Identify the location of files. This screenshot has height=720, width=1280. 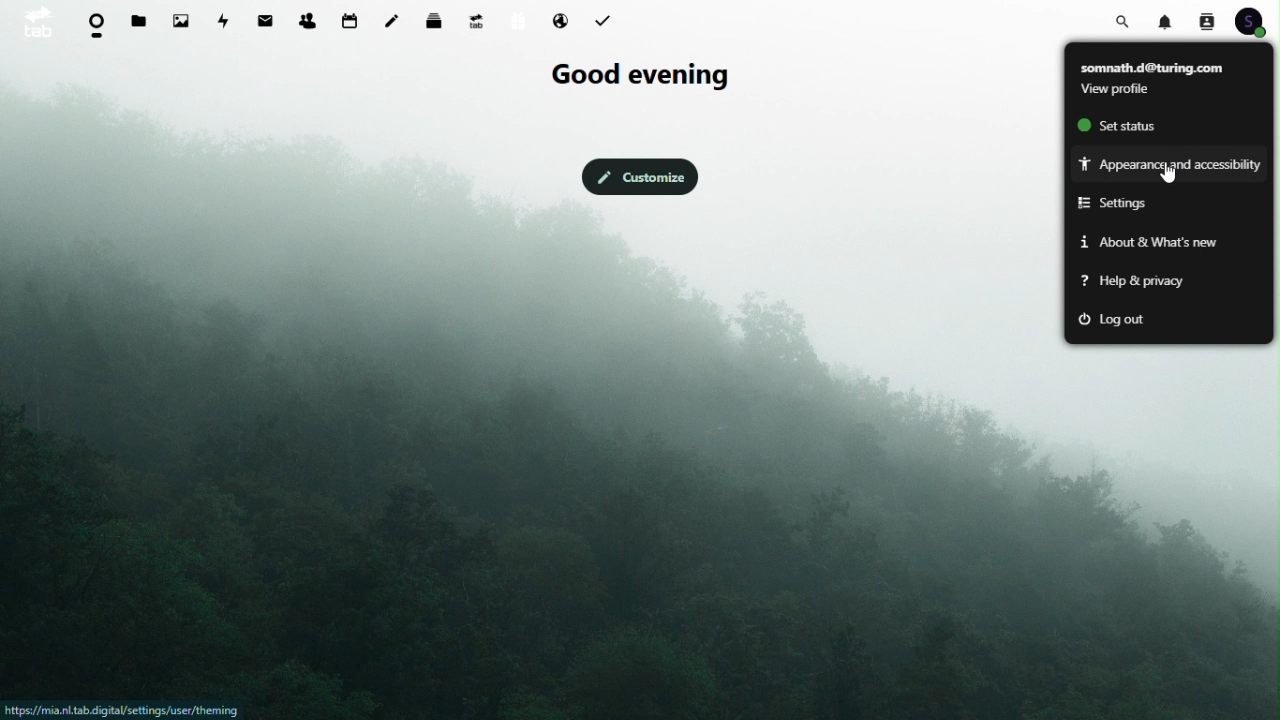
(140, 22).